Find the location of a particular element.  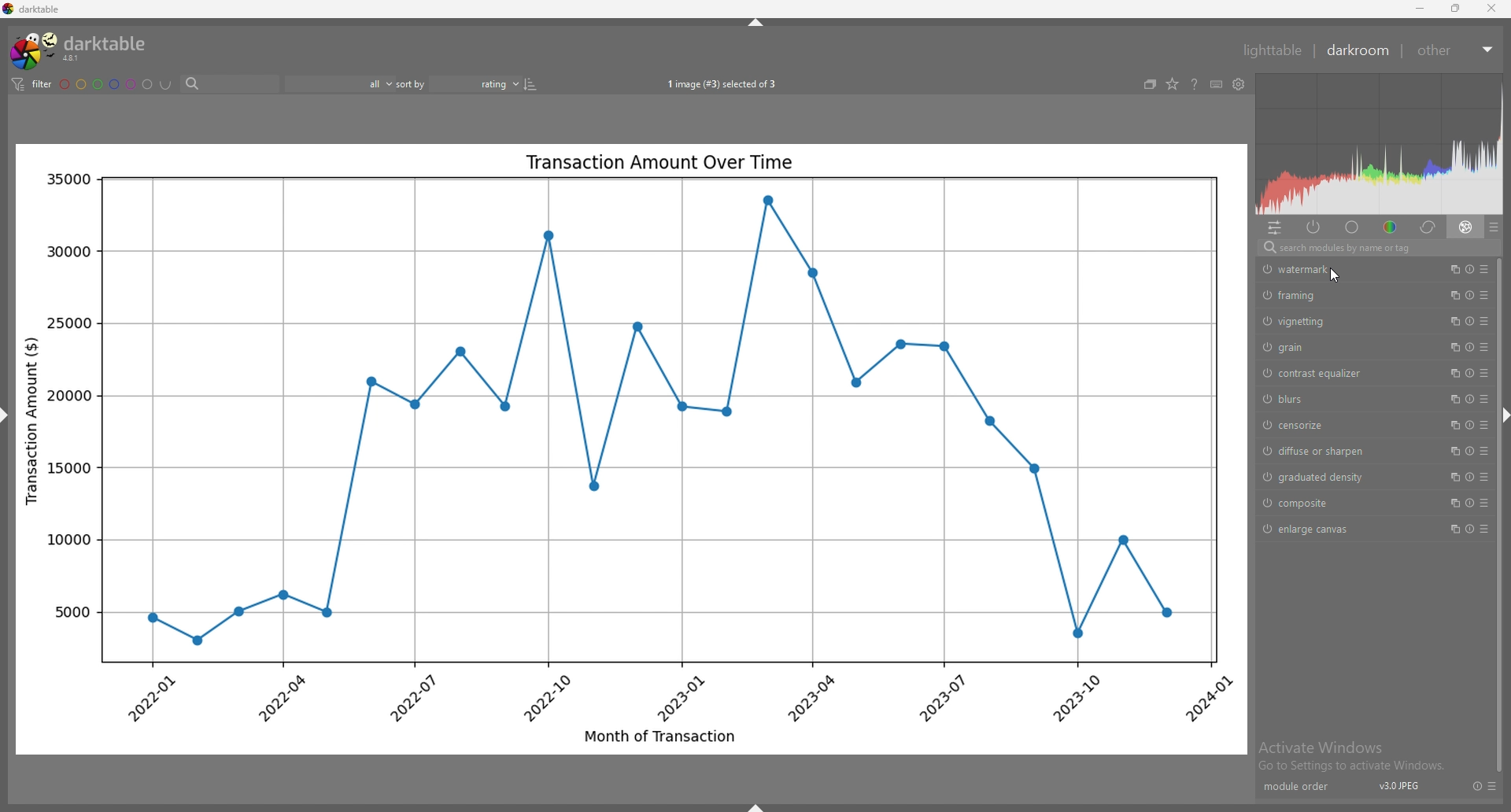

presets is located at coordinates (1492, 786).